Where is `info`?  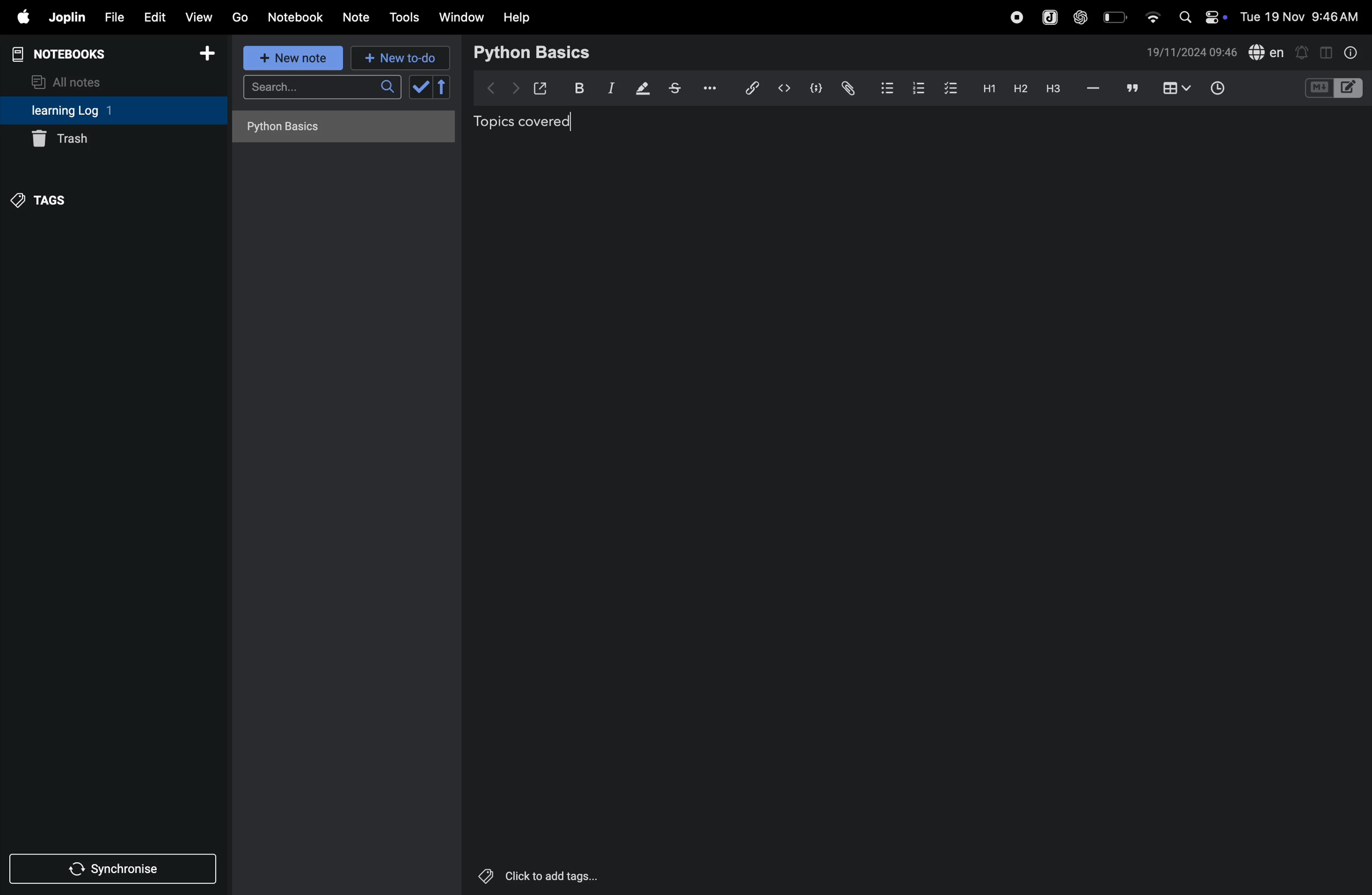
info is located at coordinates (1349, 52).